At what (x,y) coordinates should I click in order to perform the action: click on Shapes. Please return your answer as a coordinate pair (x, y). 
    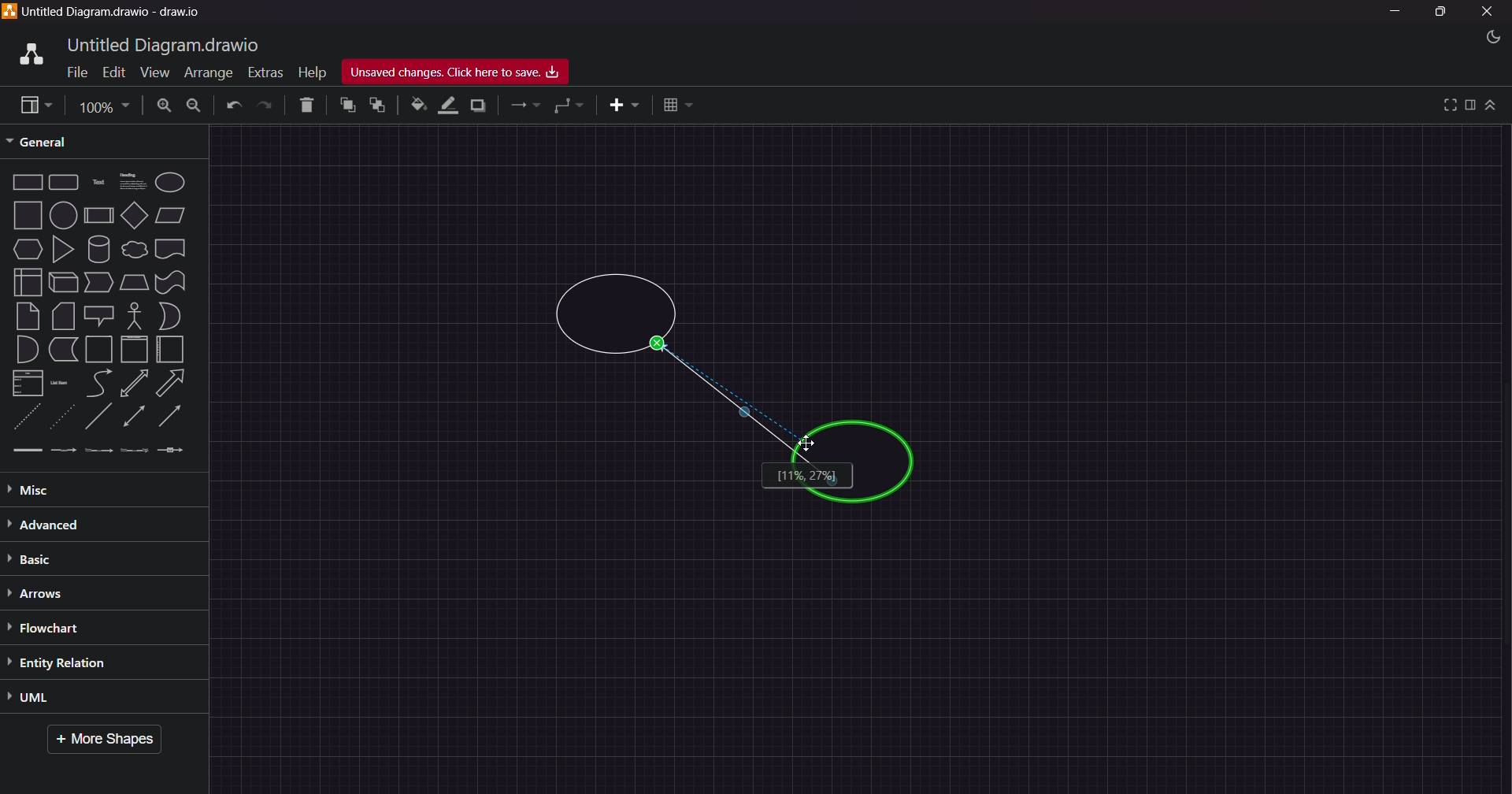
    Looking at the image, I should click on (100, 315).